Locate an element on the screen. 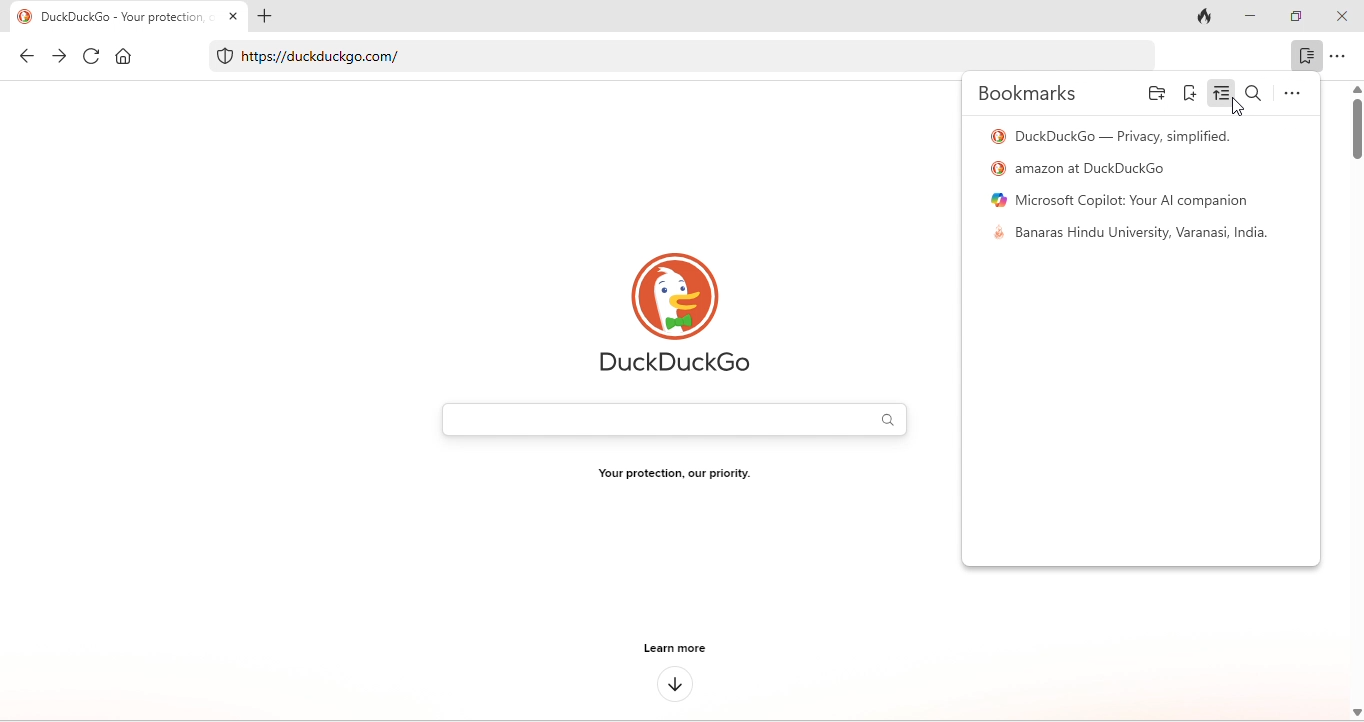 The image size is (1364, 722). sort bookmark is located at coordinates (1225, 92).